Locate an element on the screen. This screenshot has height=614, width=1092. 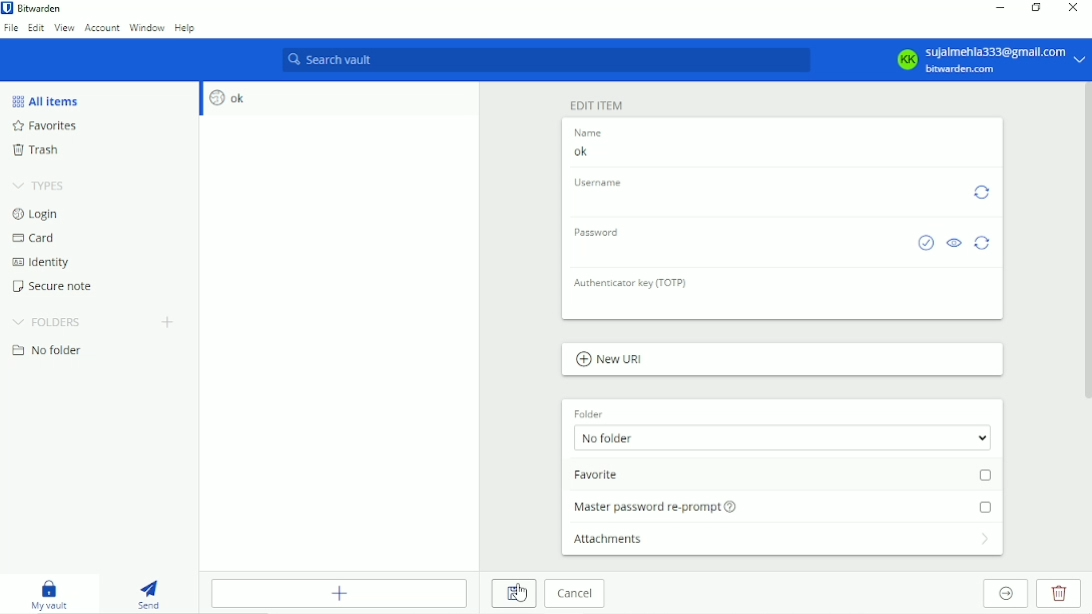
Create folder is located at coordinates (169, 322).